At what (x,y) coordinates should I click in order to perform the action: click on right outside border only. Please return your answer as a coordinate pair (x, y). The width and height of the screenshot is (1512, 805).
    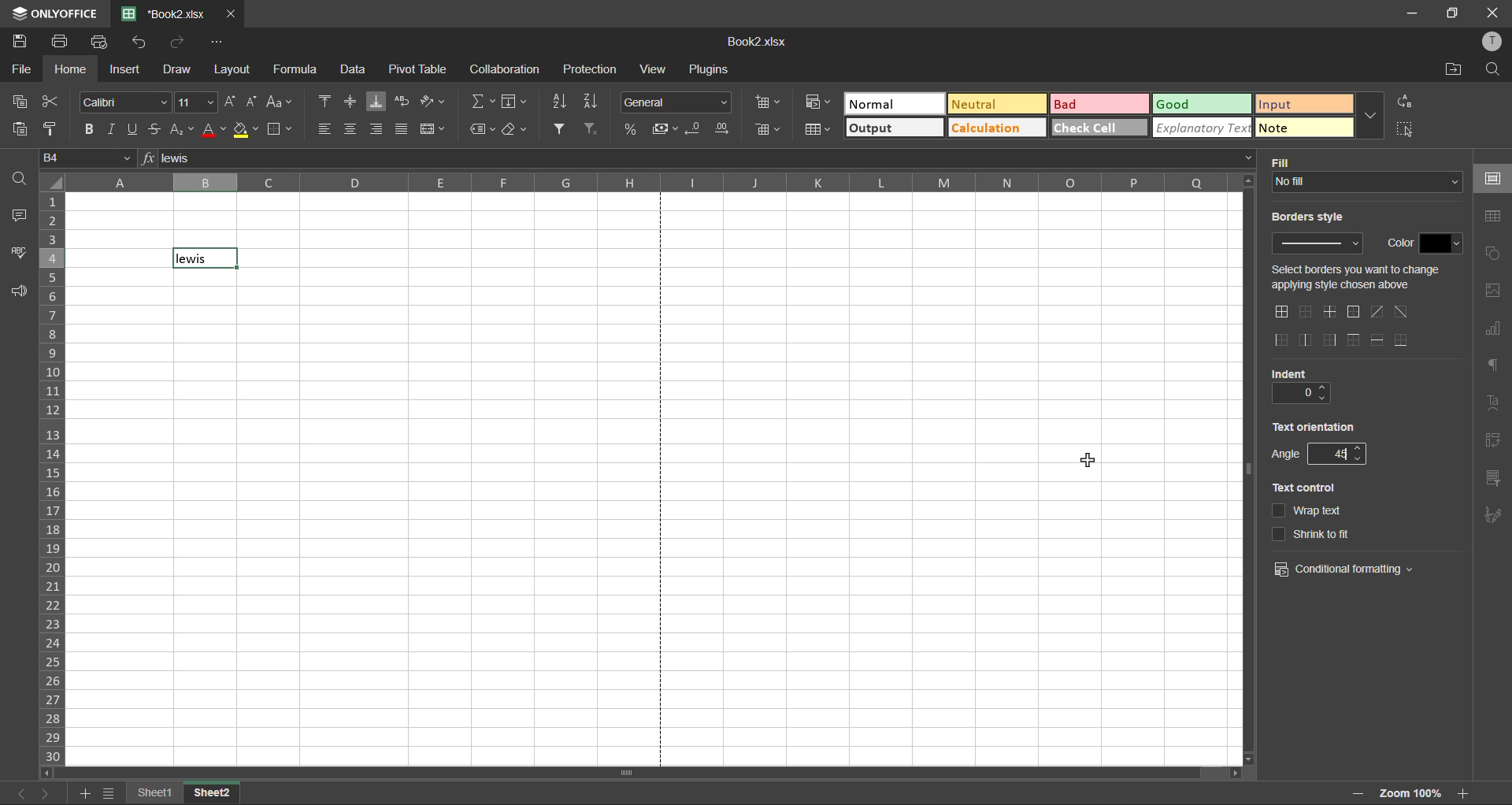
    Looking at the image, I should click on (1329, 339).